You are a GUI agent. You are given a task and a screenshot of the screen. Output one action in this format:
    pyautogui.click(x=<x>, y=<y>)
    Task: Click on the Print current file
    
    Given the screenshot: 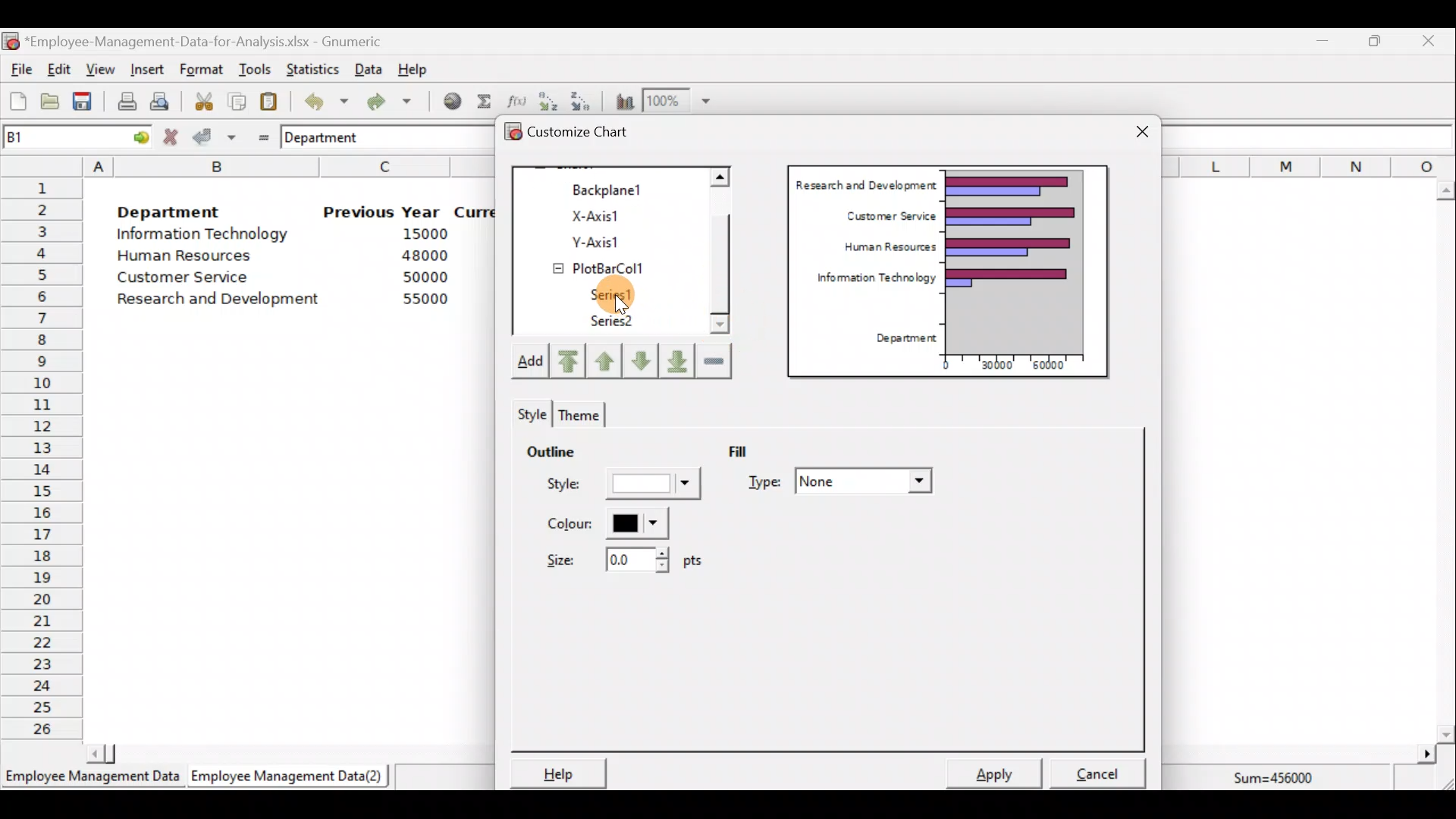 What is the action you would take?
    pyautogui.click(x=127, y=101)
    